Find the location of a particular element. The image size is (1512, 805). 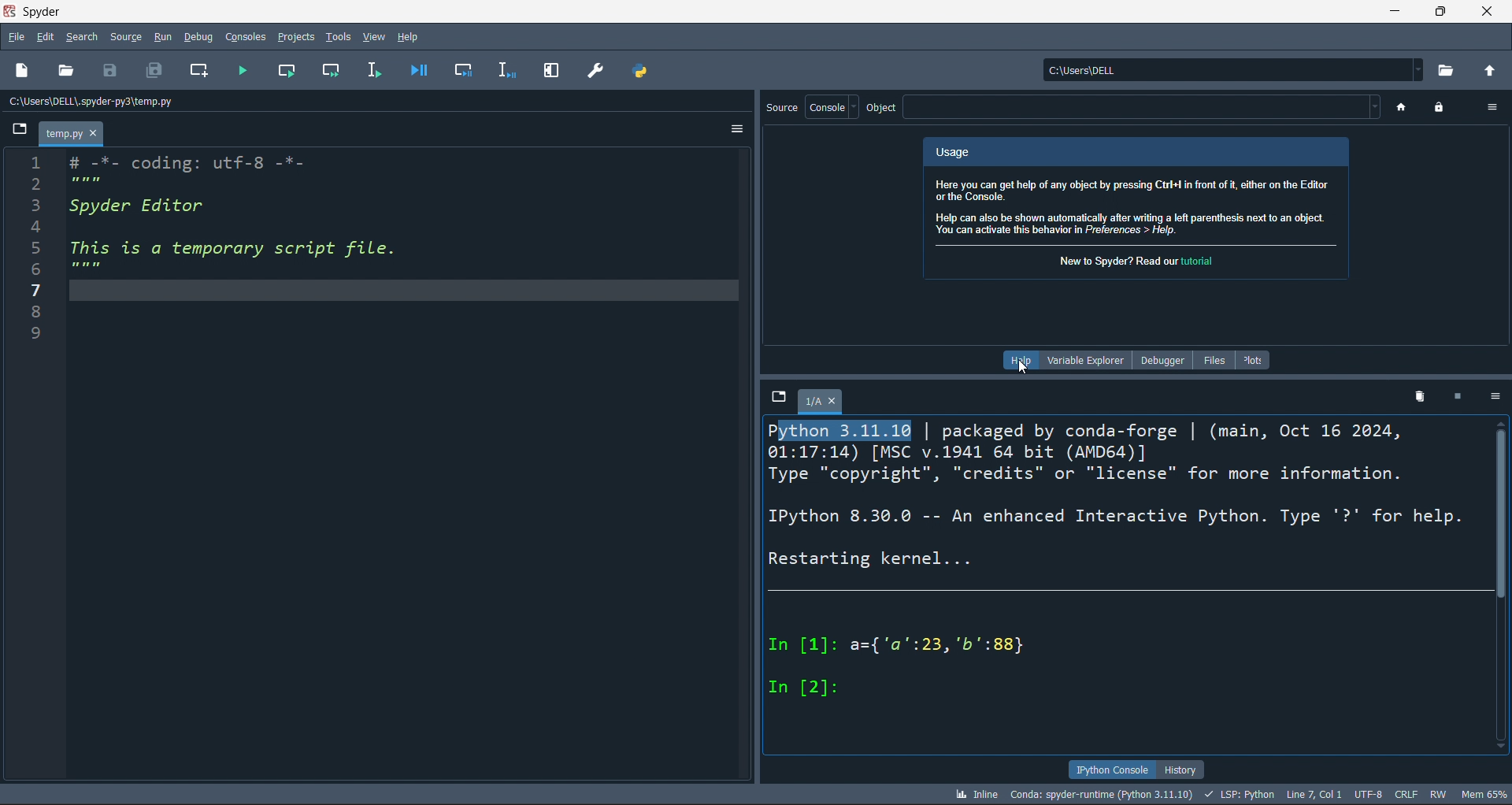

save is located at coordinates (109, 72).